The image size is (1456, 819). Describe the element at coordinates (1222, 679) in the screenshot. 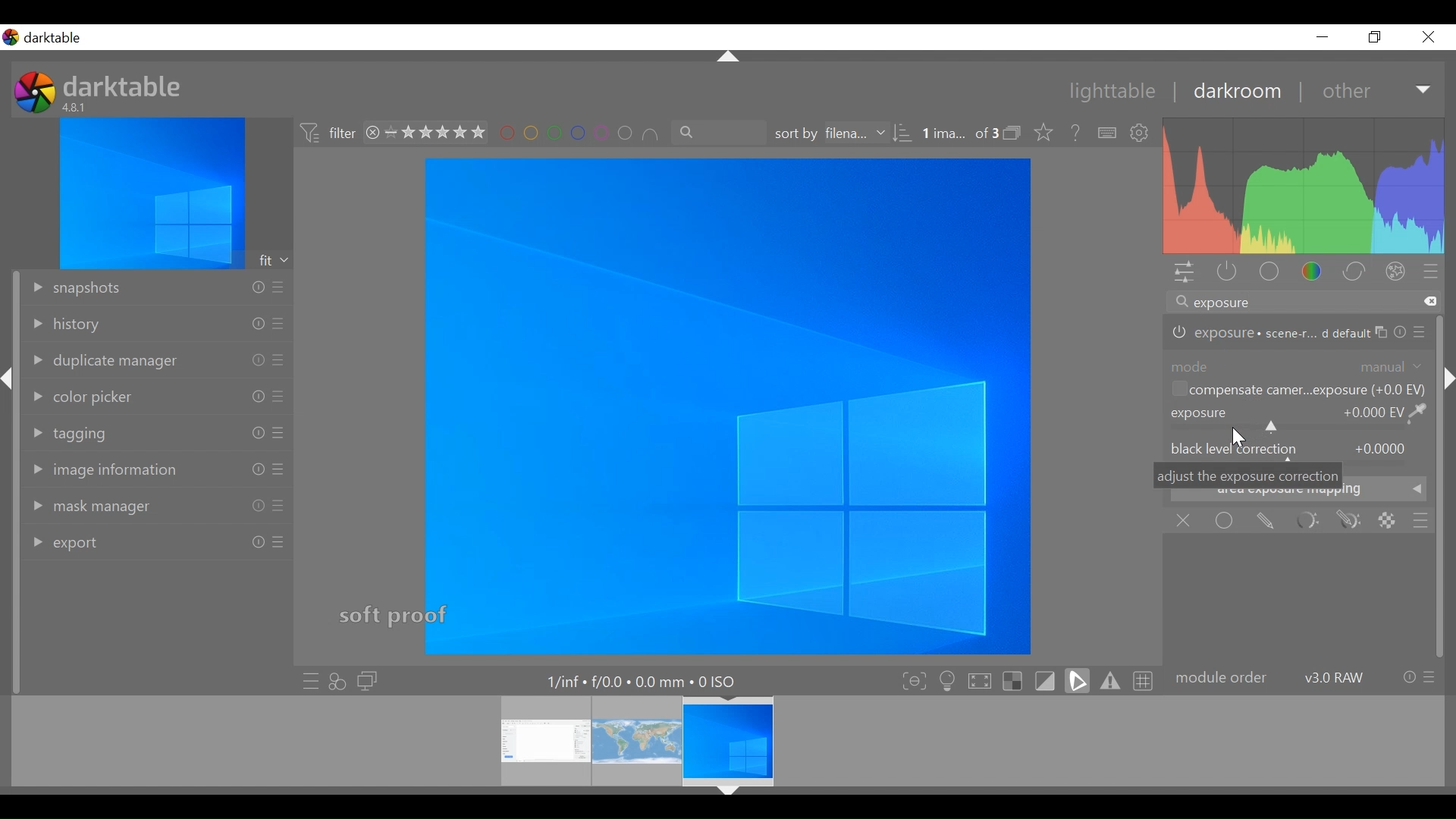

I see `module order` at that location.